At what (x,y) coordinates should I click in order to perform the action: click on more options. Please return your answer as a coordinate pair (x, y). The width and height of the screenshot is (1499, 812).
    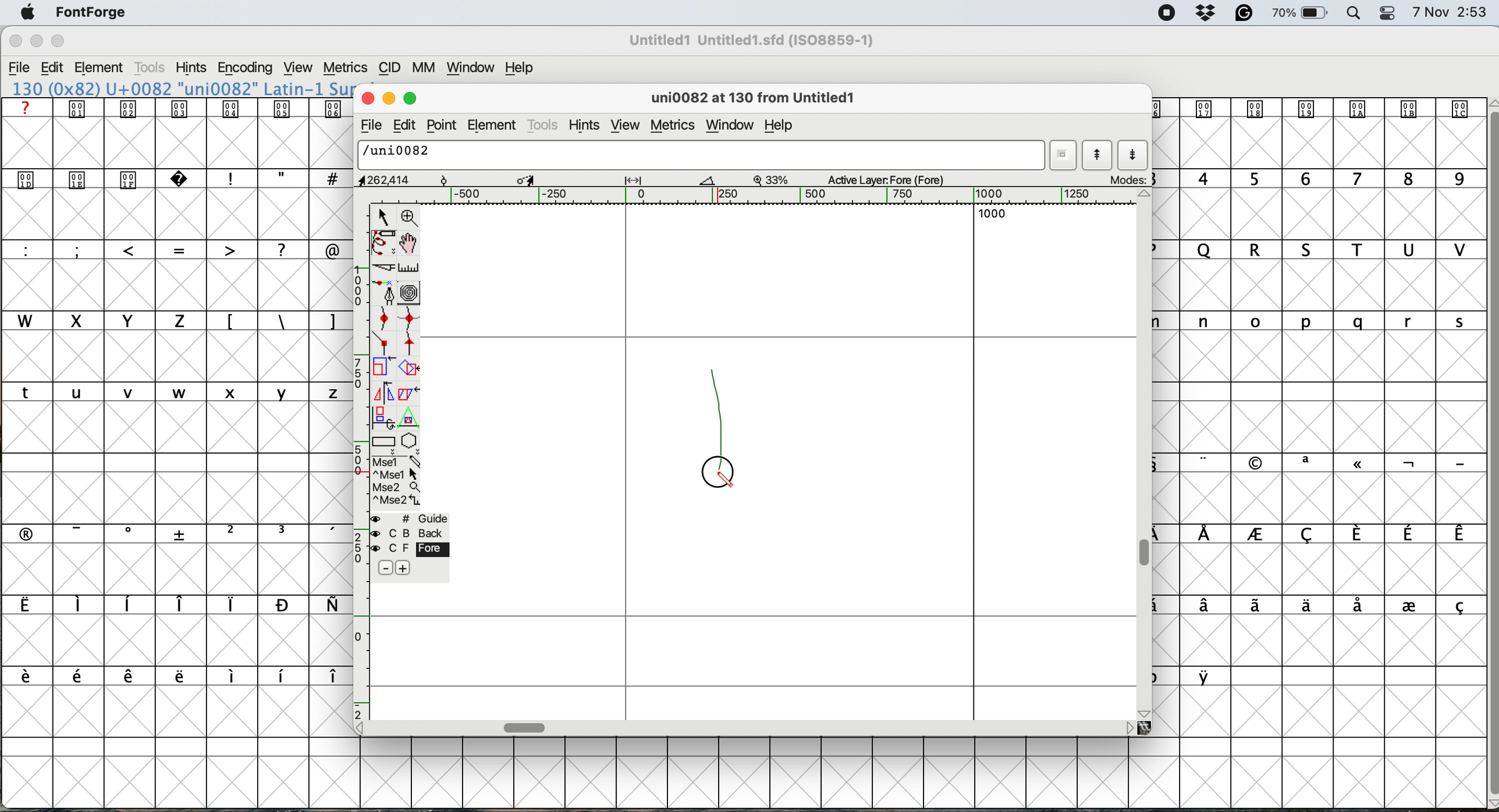
    Looking at the image, I should click on (395, 482).